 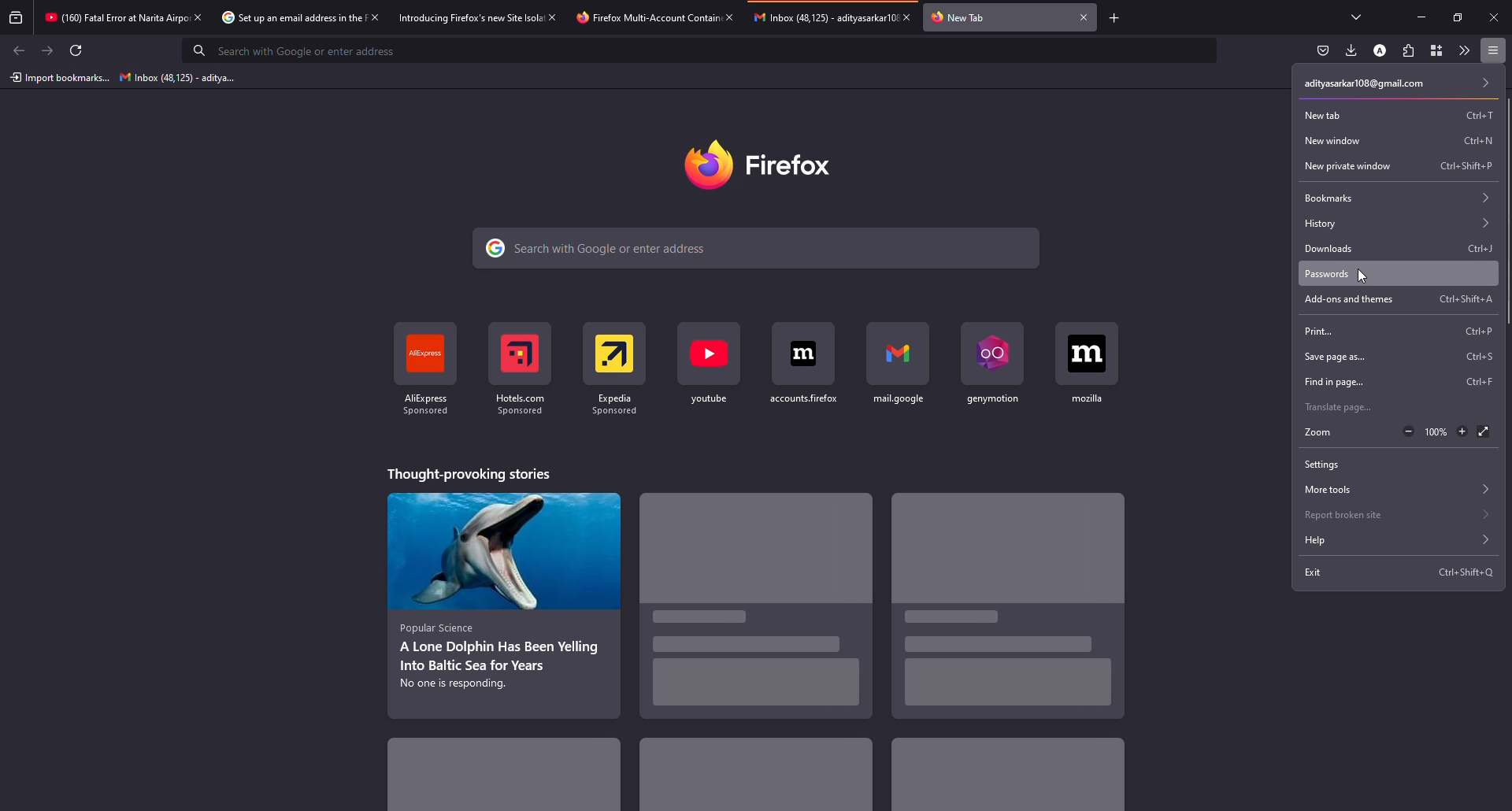 I want to click on shortcut, so click(x=995, y=365).